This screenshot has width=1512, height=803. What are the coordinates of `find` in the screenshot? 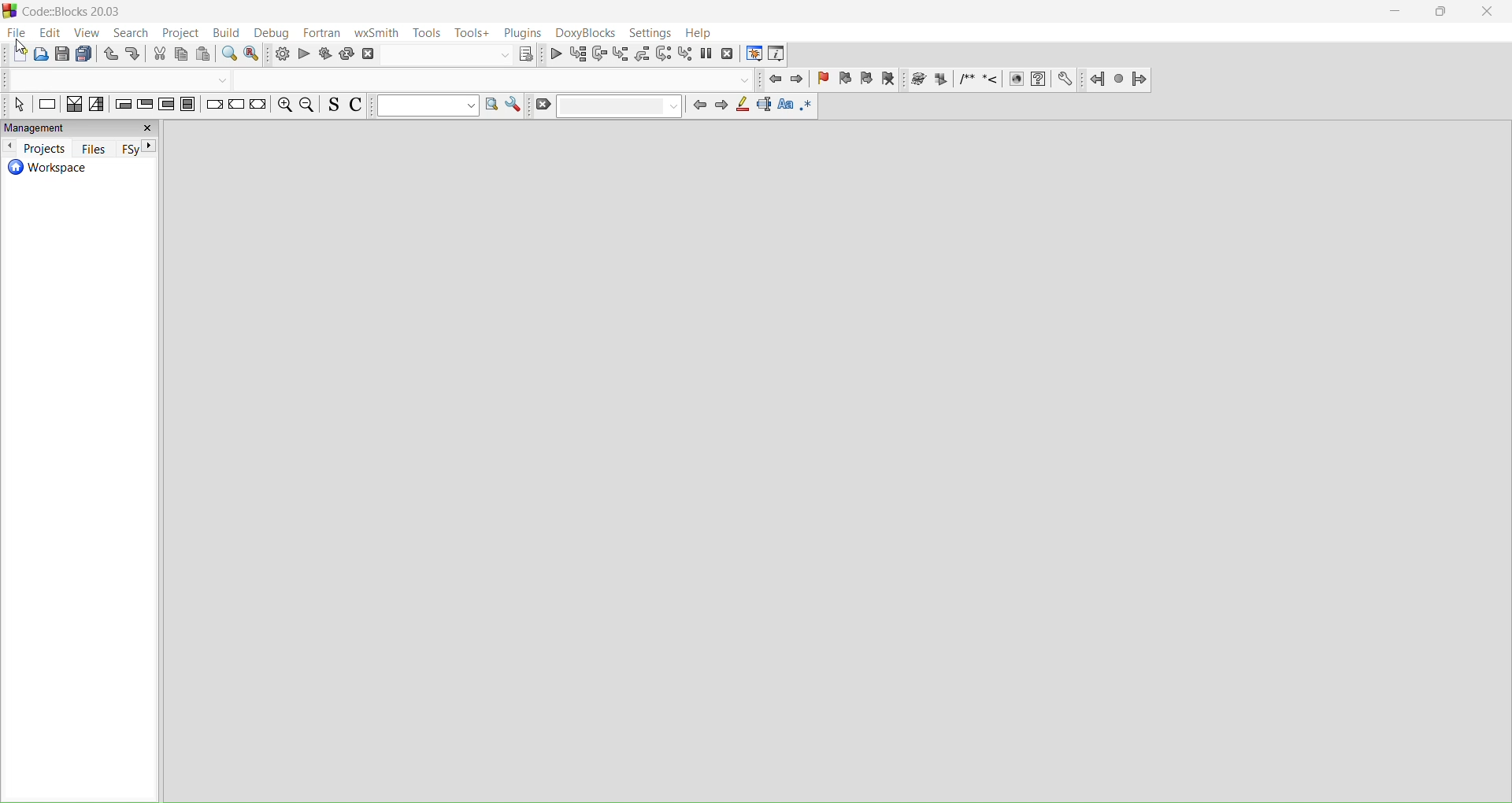 It's located at (228, 55).